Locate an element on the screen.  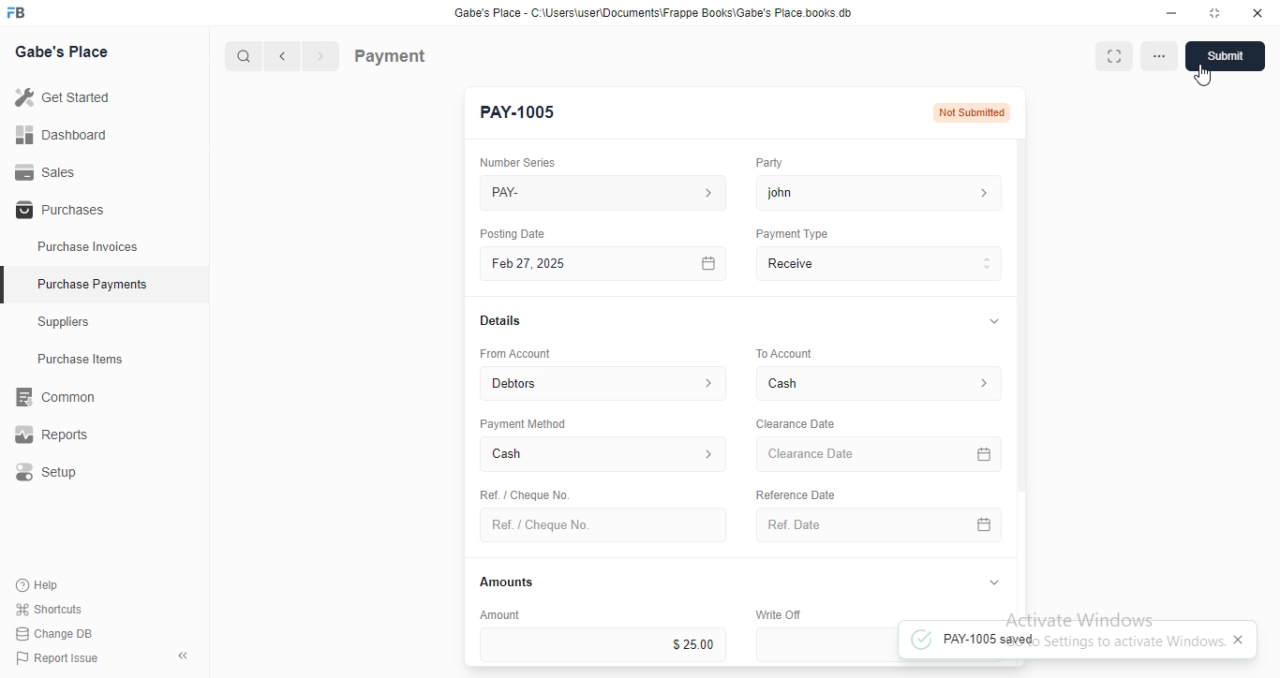
PAY- is located at coordinates (605, 193).